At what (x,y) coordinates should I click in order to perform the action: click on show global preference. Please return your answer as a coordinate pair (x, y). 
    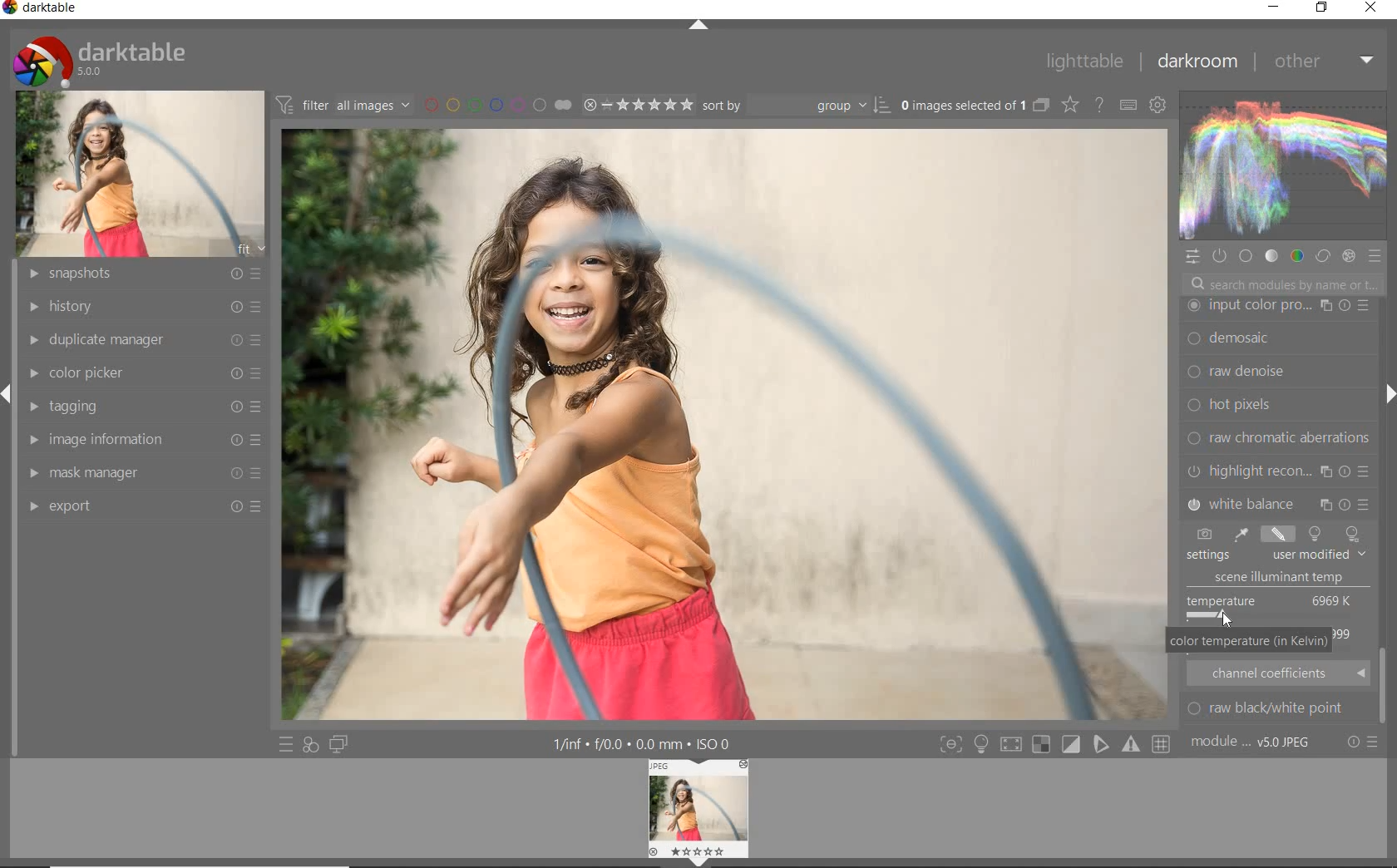
    Looking at the image, I should click on (1158, 106).